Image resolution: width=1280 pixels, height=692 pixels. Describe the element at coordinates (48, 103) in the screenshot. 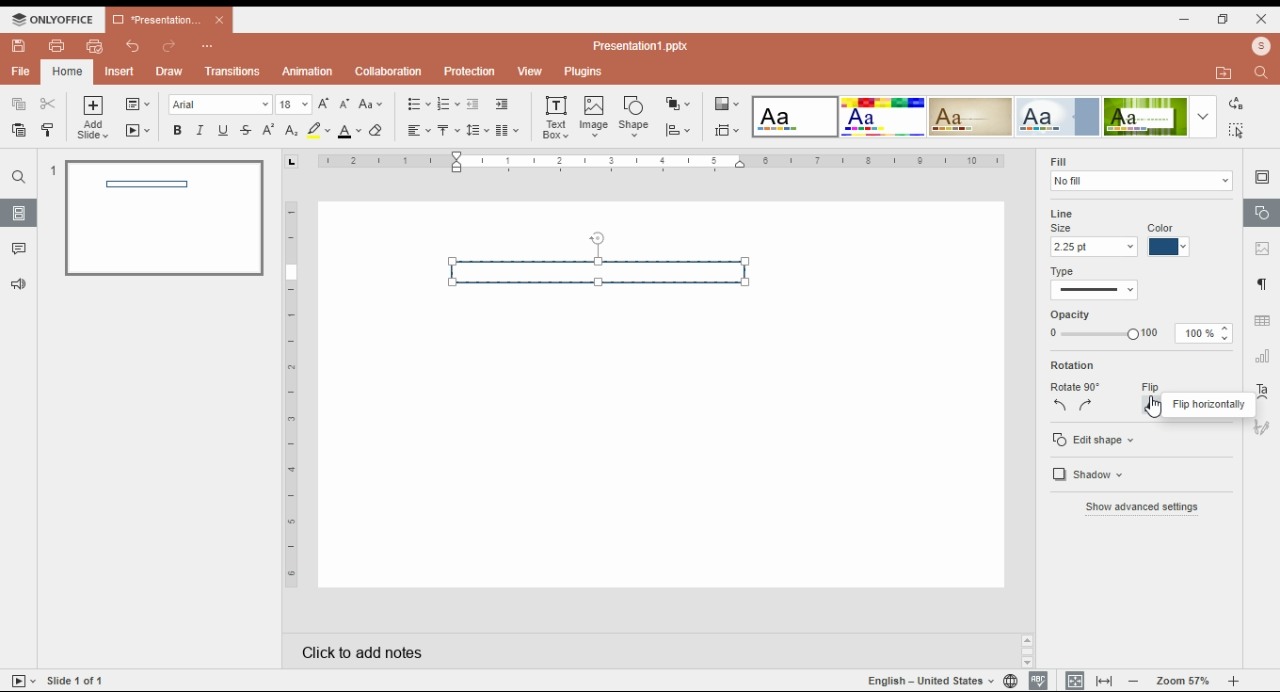

I see `cut` at that location.